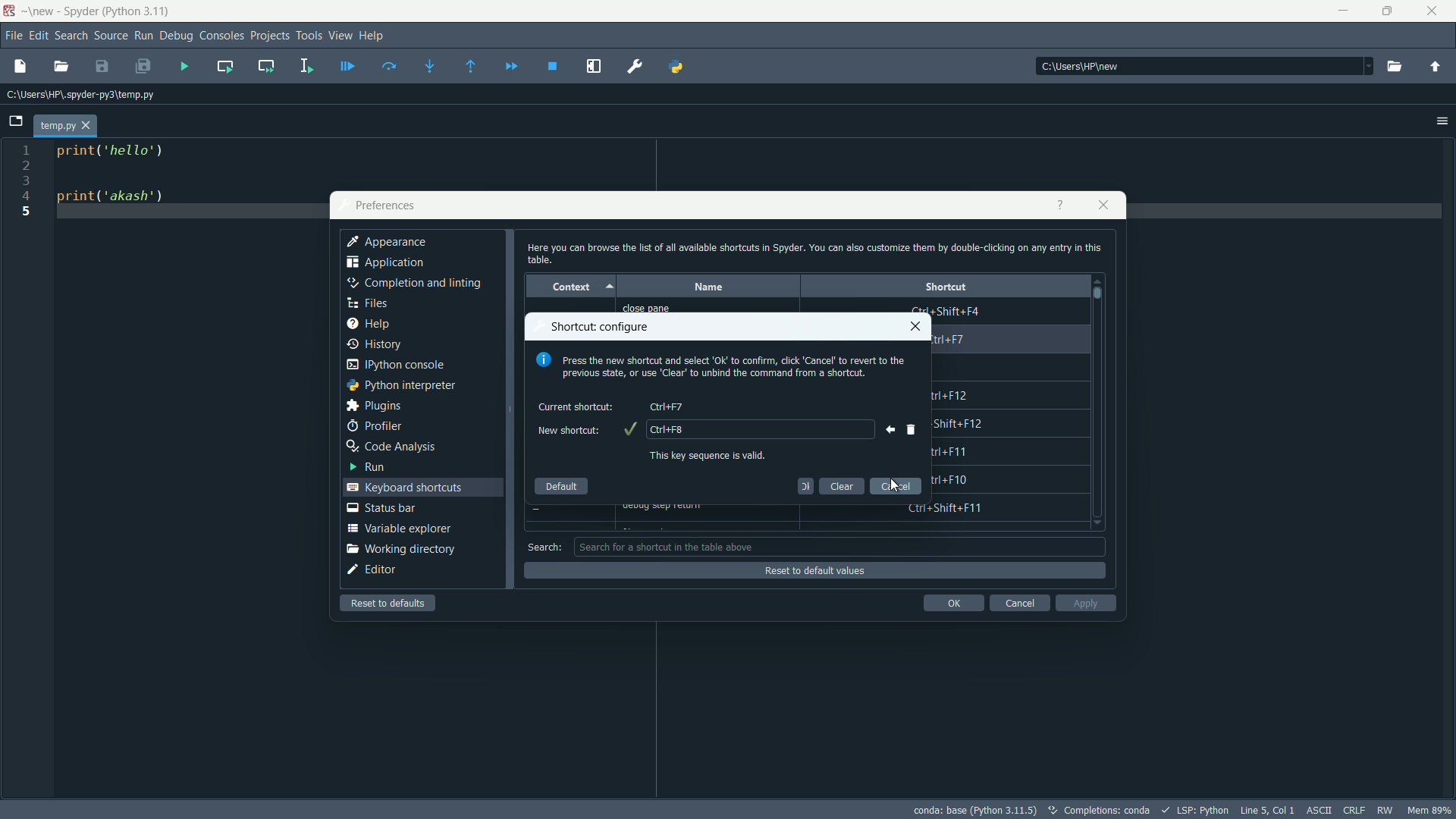 The image size is (1456, 819). Describe the element at coordinates (381, 507) in the screenshot. I see `status bar` at that location.